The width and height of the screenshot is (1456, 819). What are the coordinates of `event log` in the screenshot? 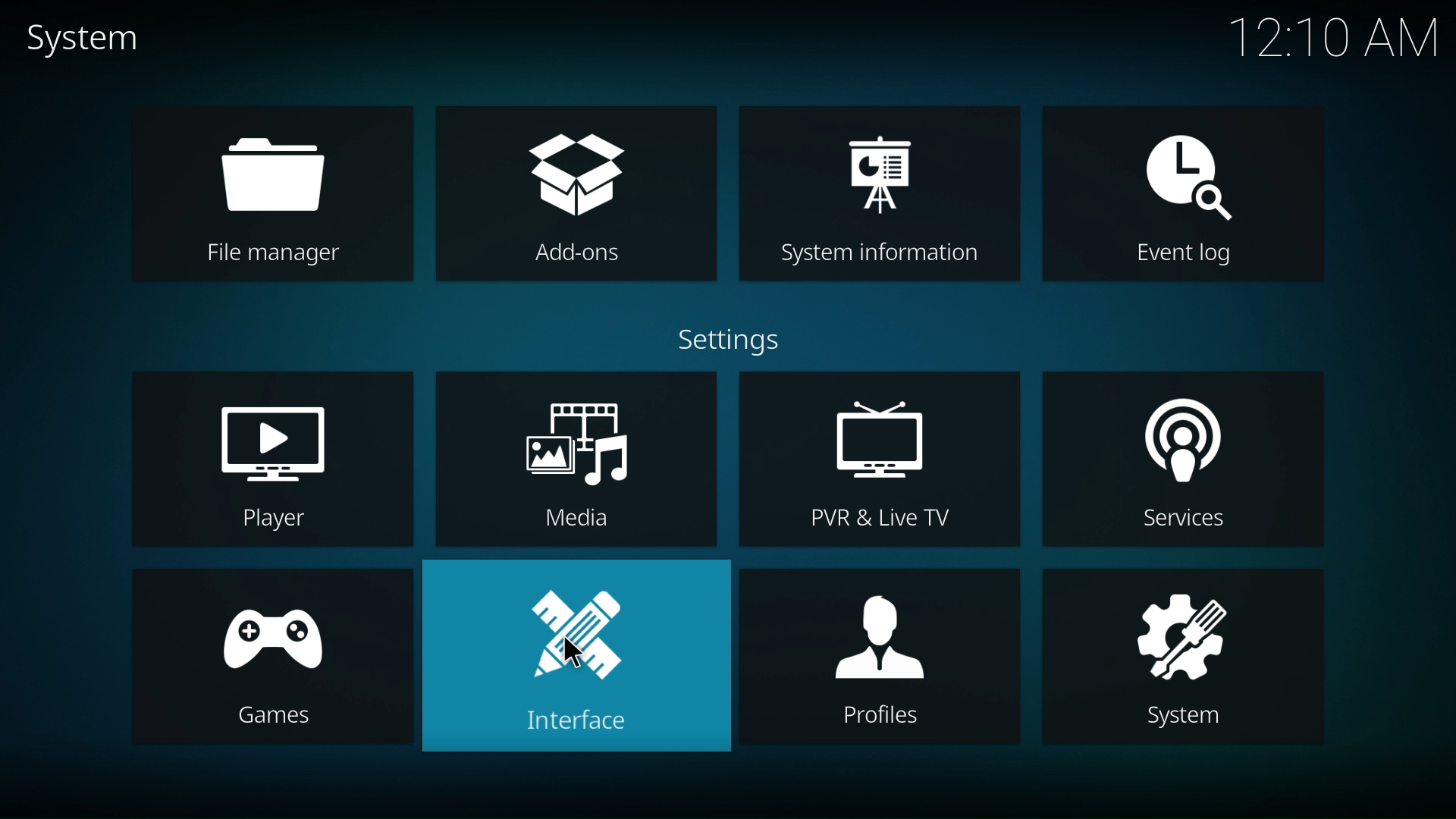 It's located at (1194, 193).